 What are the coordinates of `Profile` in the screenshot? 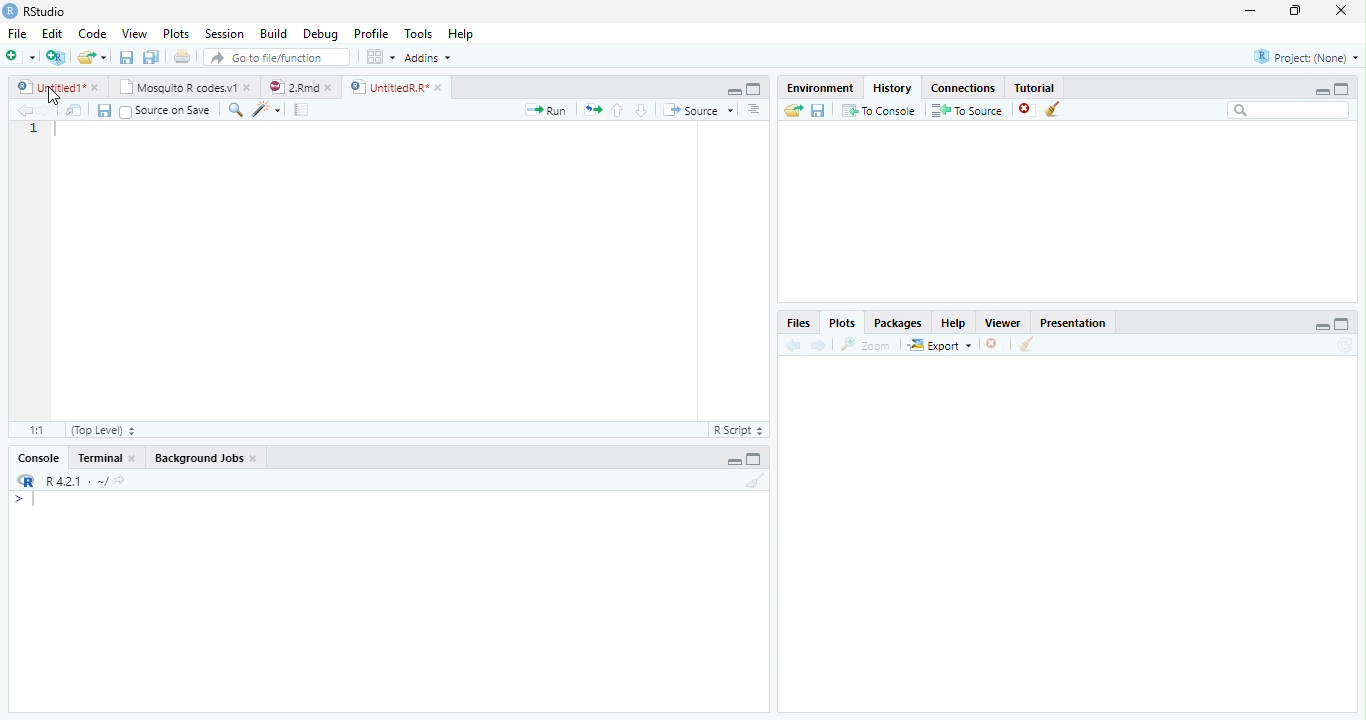 It's located at (372, 34).